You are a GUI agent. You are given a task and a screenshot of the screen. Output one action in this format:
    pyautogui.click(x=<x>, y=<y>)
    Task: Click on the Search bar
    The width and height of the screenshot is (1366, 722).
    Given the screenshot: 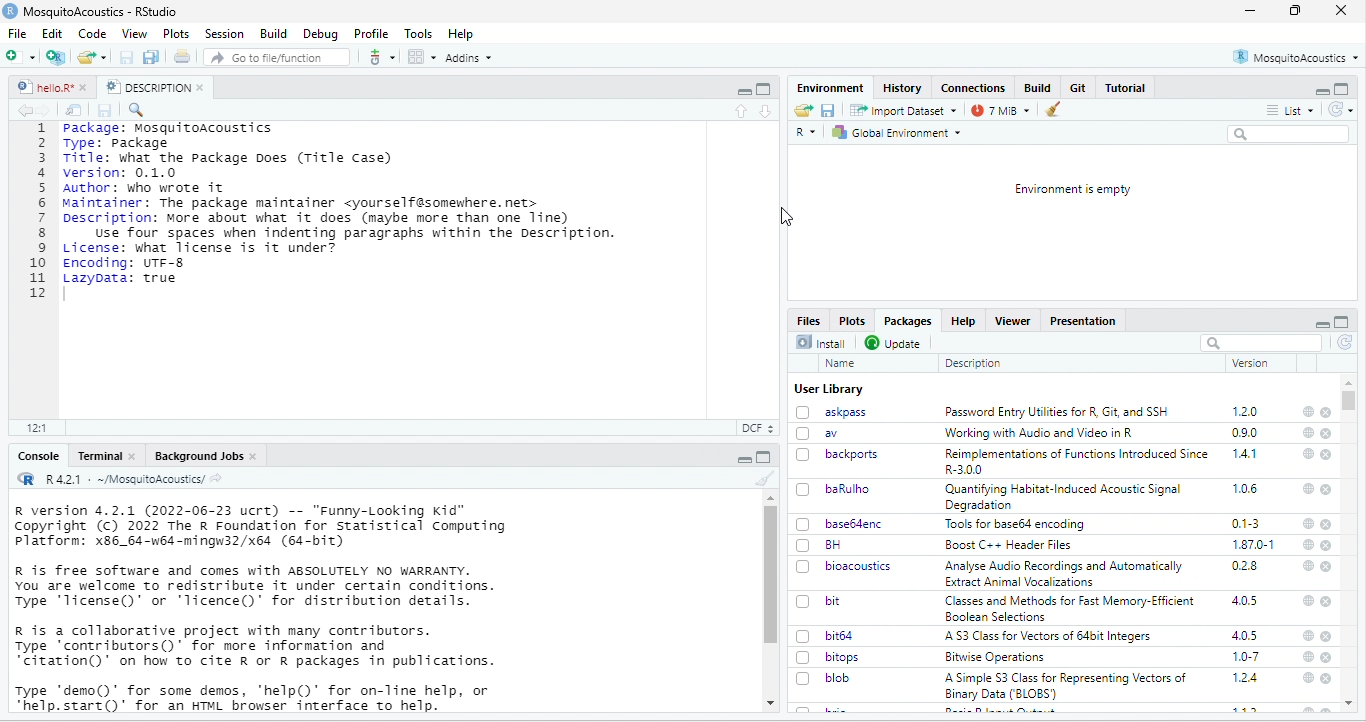 What is the action you would take?
    pyautogui.click(x=1290, y=134)
    